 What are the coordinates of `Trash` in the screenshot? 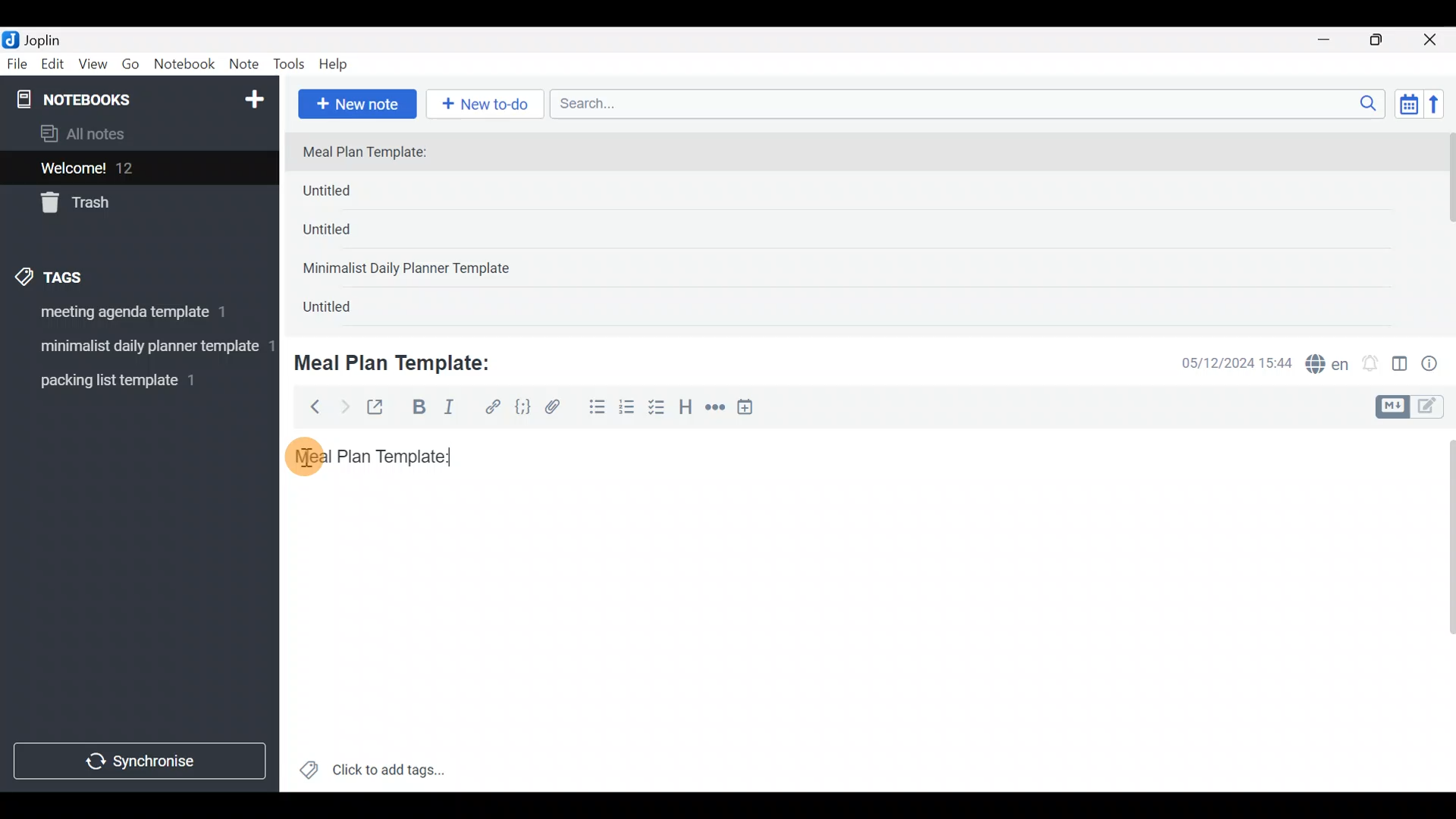 It's located at (130, 204).